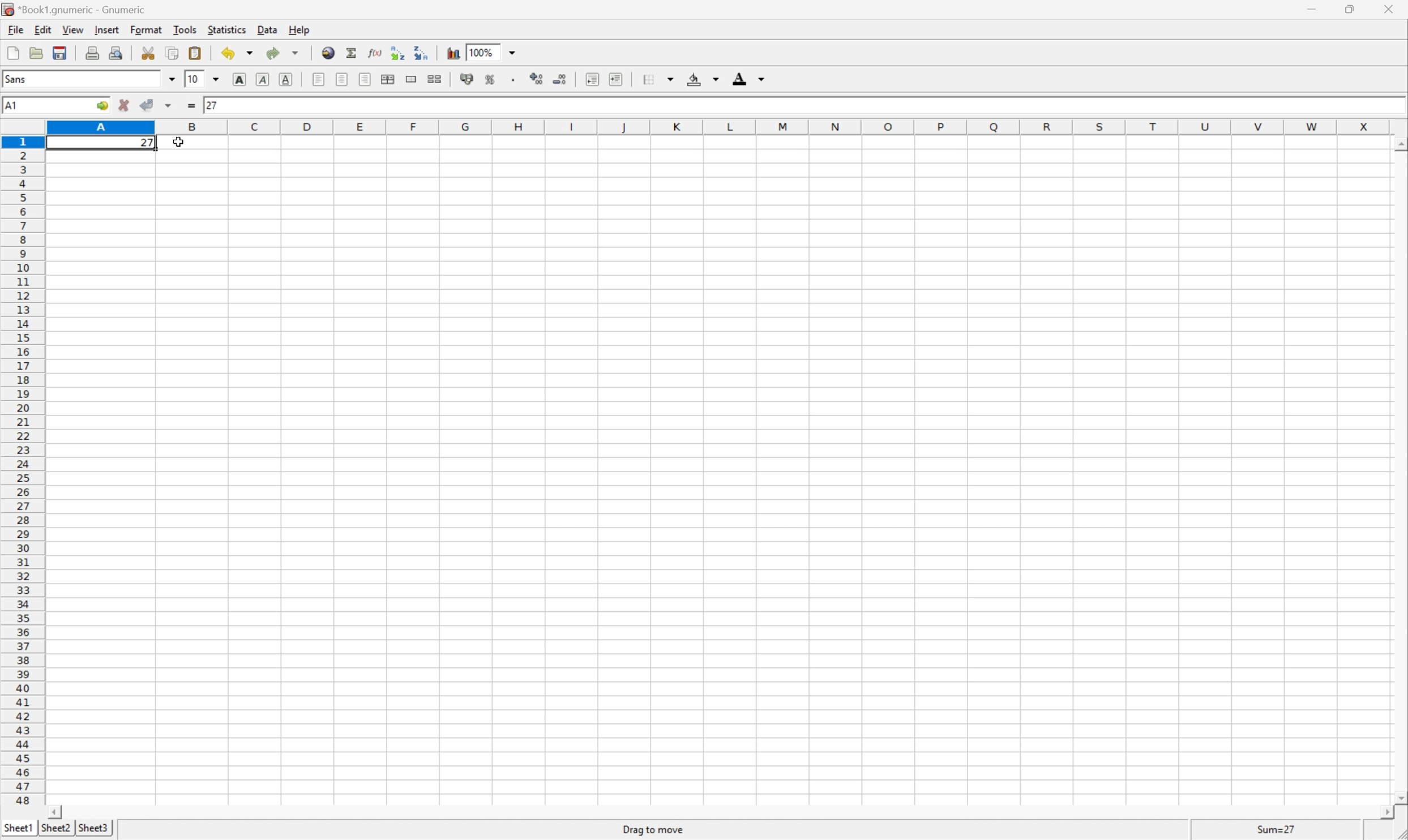 This screenshot has width=1408, height=840. Describe the element at coordinates (559, 78) in the screenshot. I see `Decrease the decimals displayed` at that location.